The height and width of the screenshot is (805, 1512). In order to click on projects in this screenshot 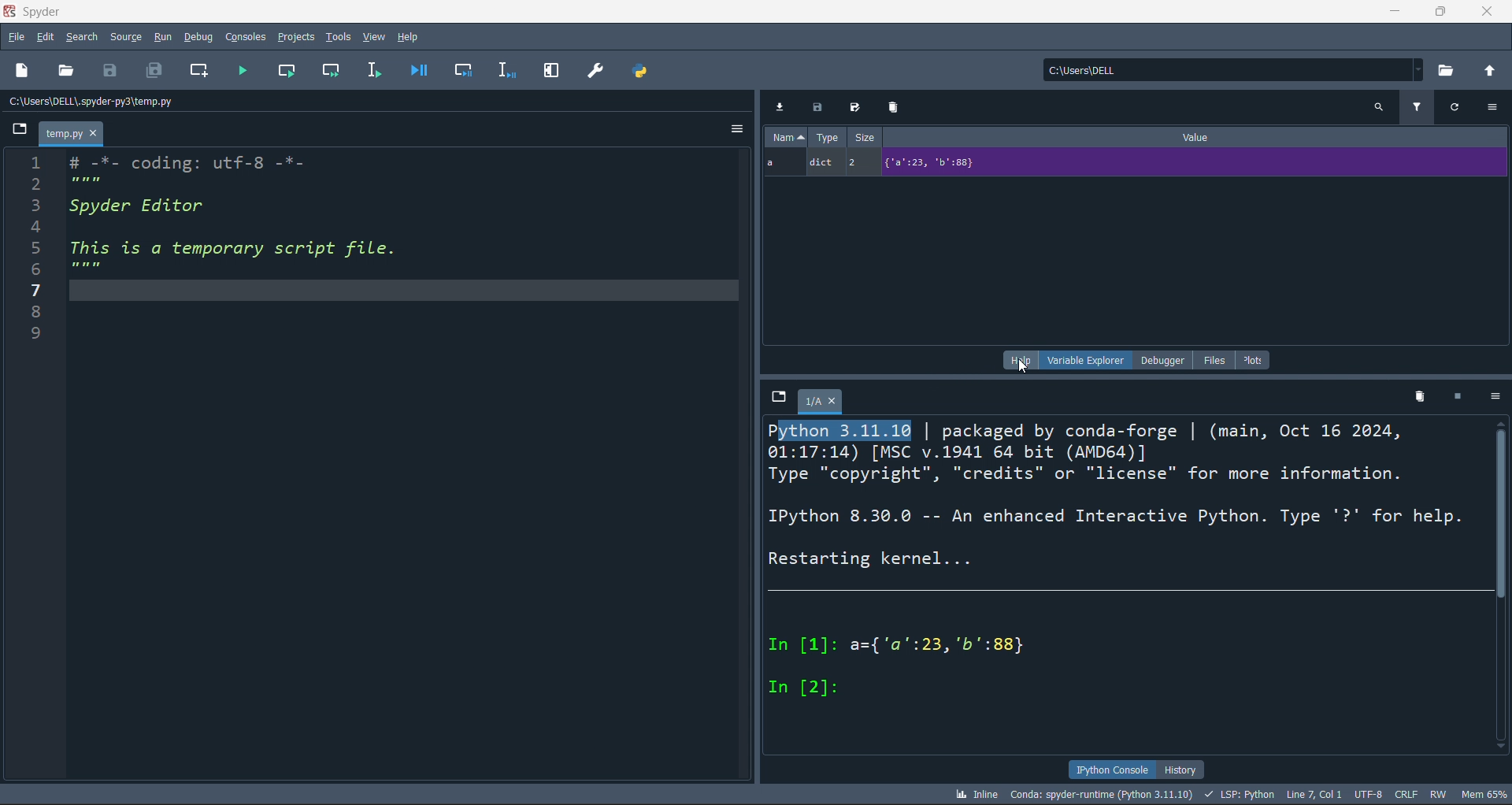, I will do `click(294, 35)`.